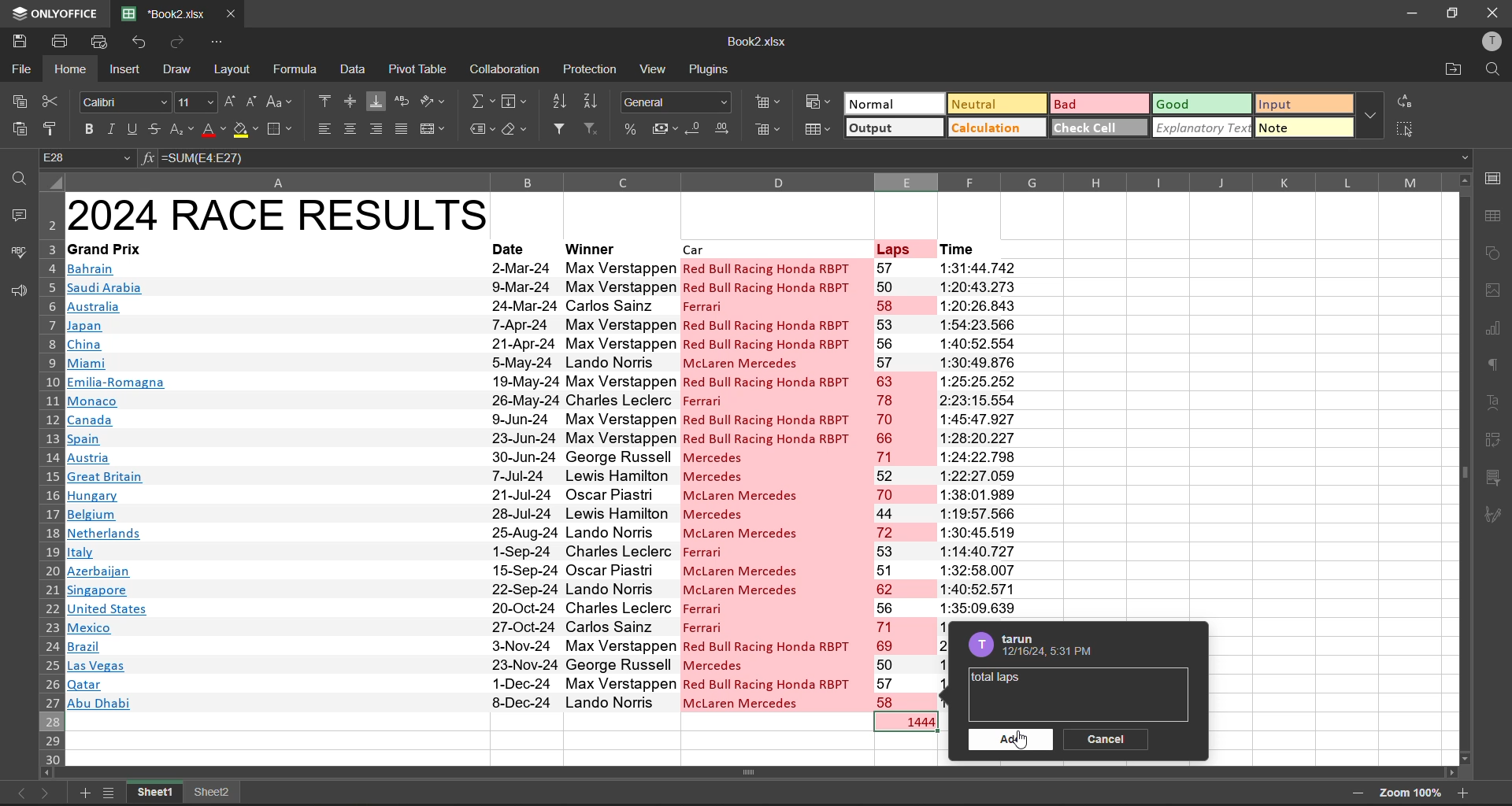 This screenshot has height=806, width=1512. I want to click on grand prix, so click(106, 248).